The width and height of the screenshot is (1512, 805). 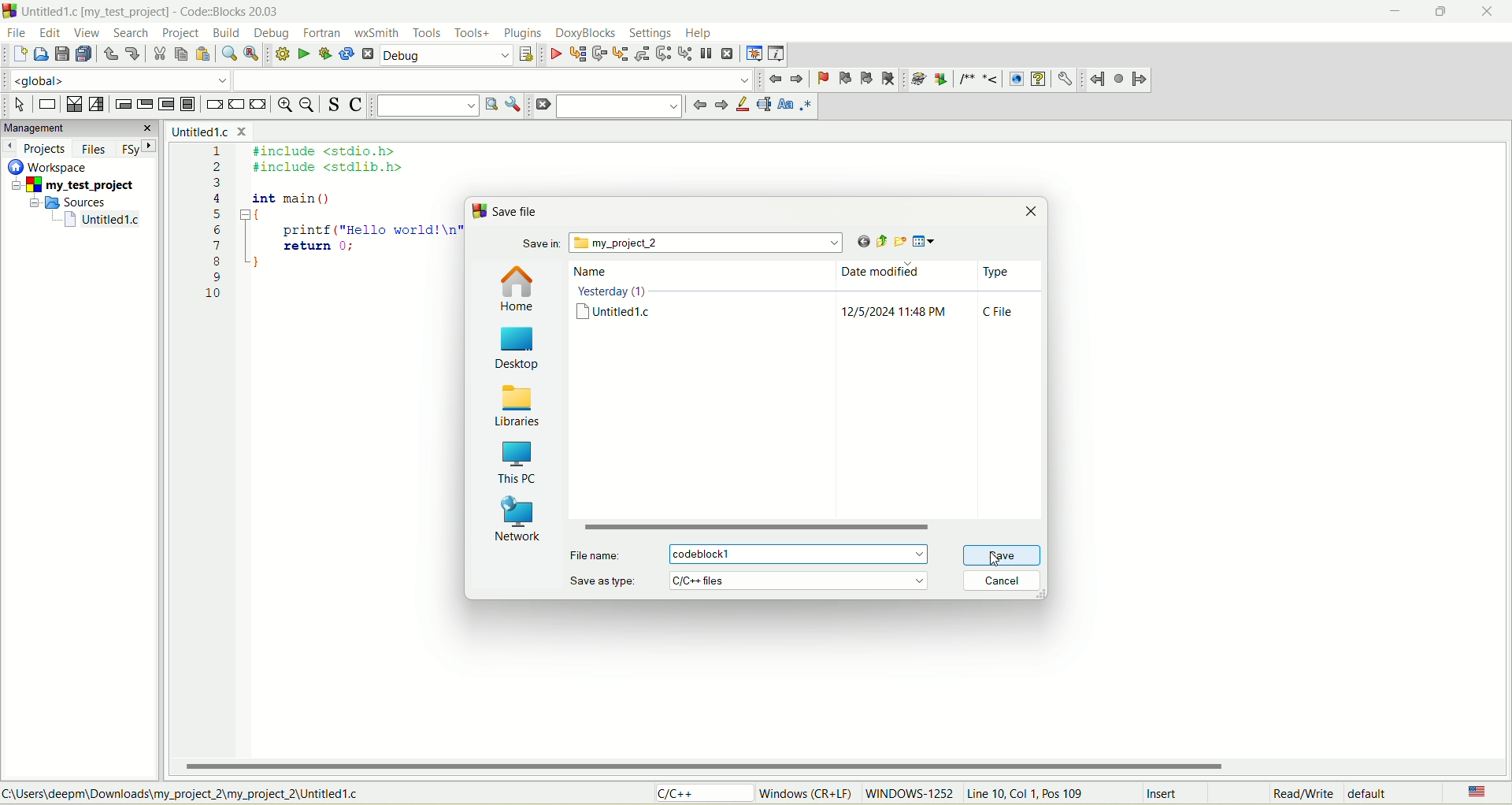 What do you see at coordinates (168, 106) in the screenshot?
I see `counting loop` at bounding box center [168, 106].